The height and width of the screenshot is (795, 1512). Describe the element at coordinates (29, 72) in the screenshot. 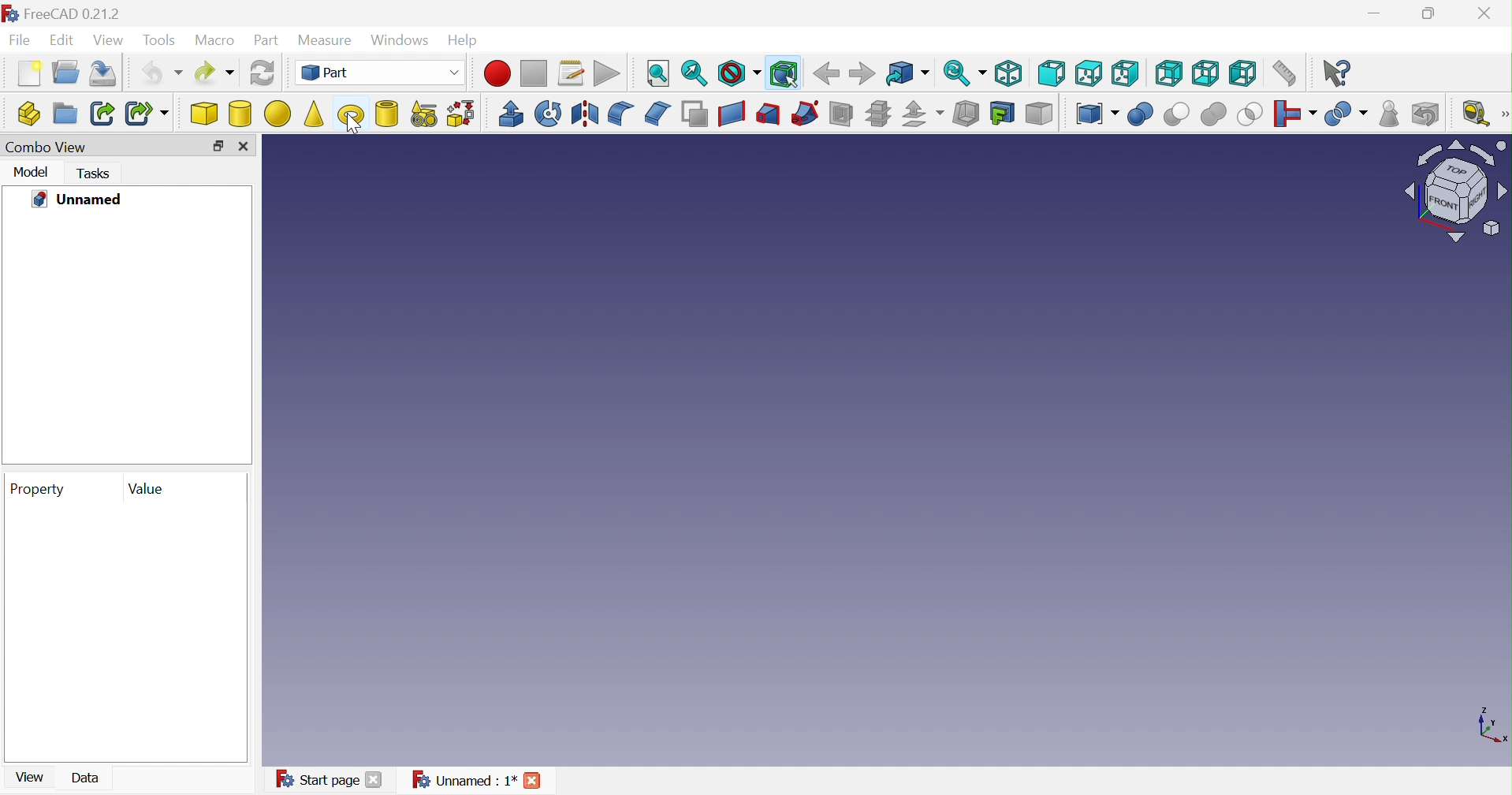

I see `New` at that location.